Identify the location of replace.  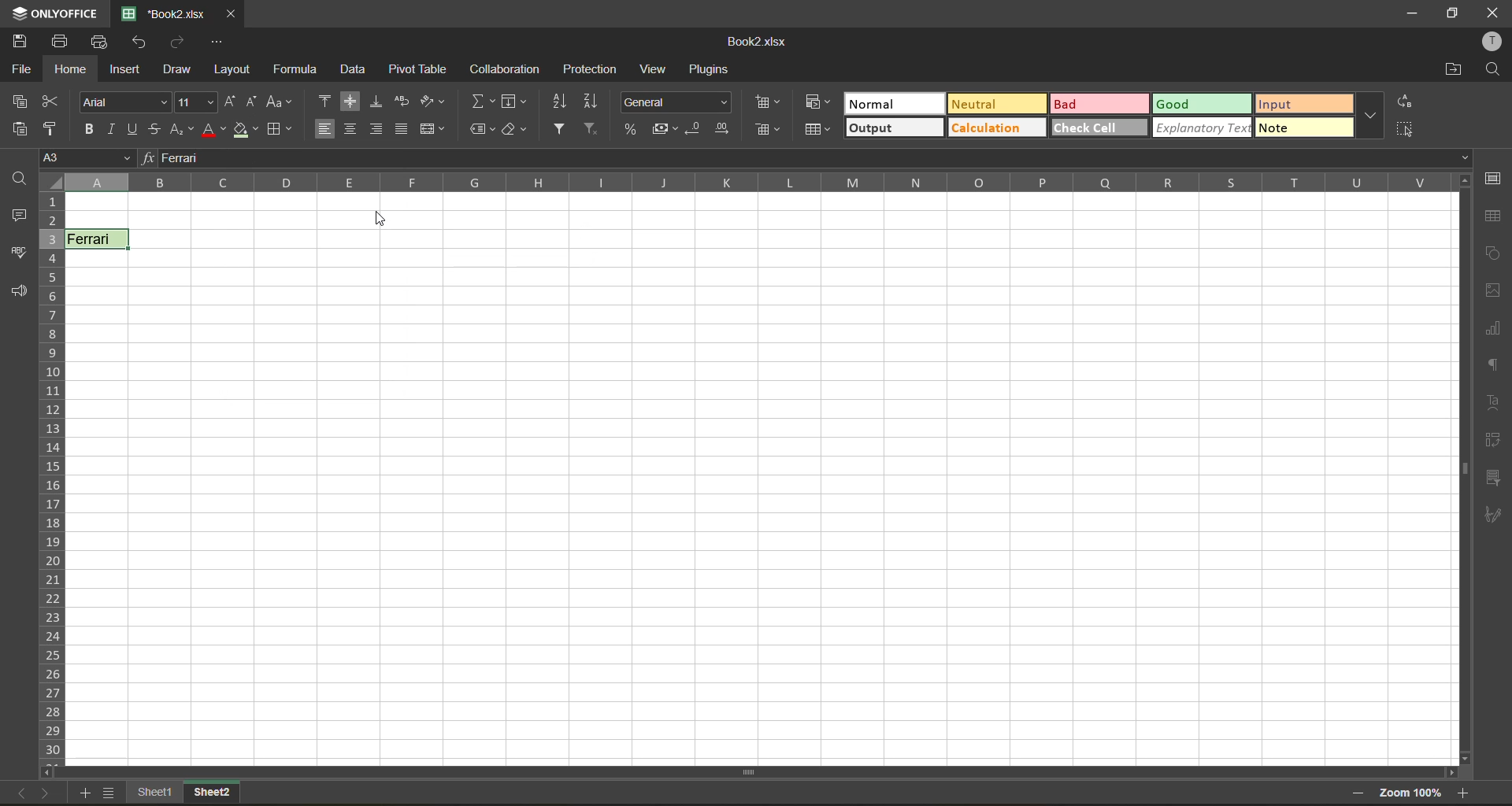
(1405, 102).